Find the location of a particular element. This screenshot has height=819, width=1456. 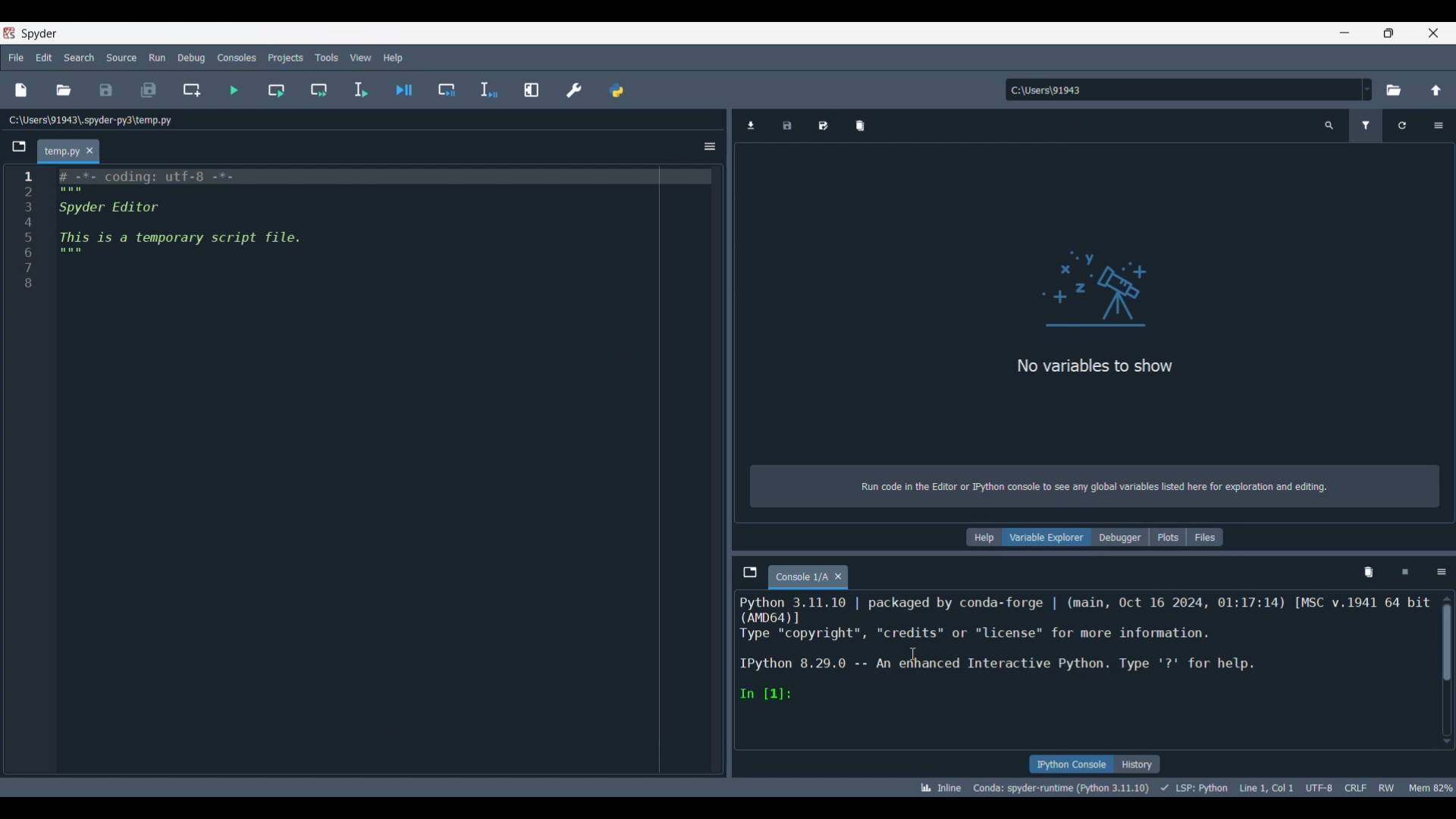

Minimize is located at coordinates (1345, 33).